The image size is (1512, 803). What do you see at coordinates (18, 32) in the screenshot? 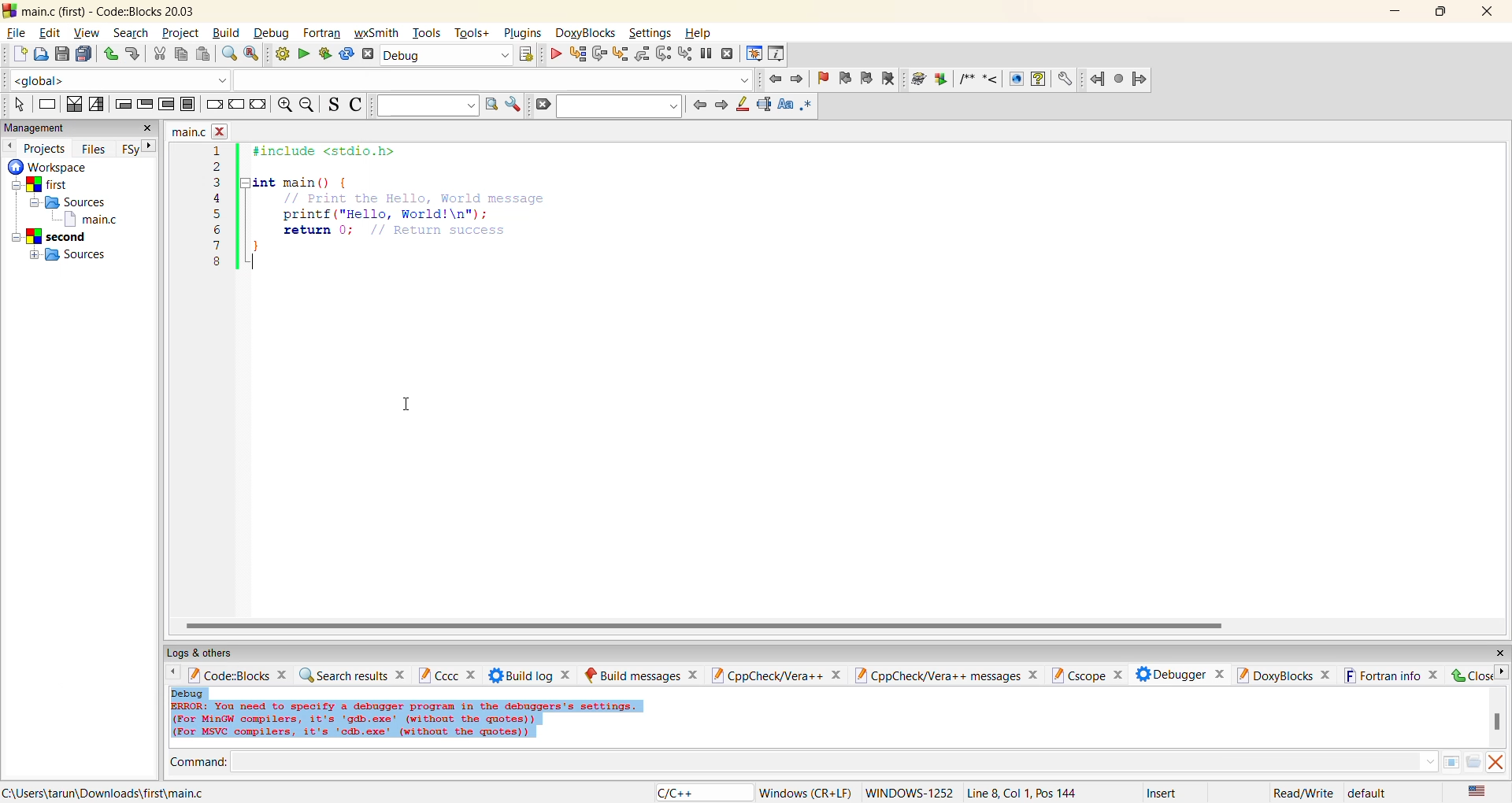
I see `file` at bounding box center [18, 32].